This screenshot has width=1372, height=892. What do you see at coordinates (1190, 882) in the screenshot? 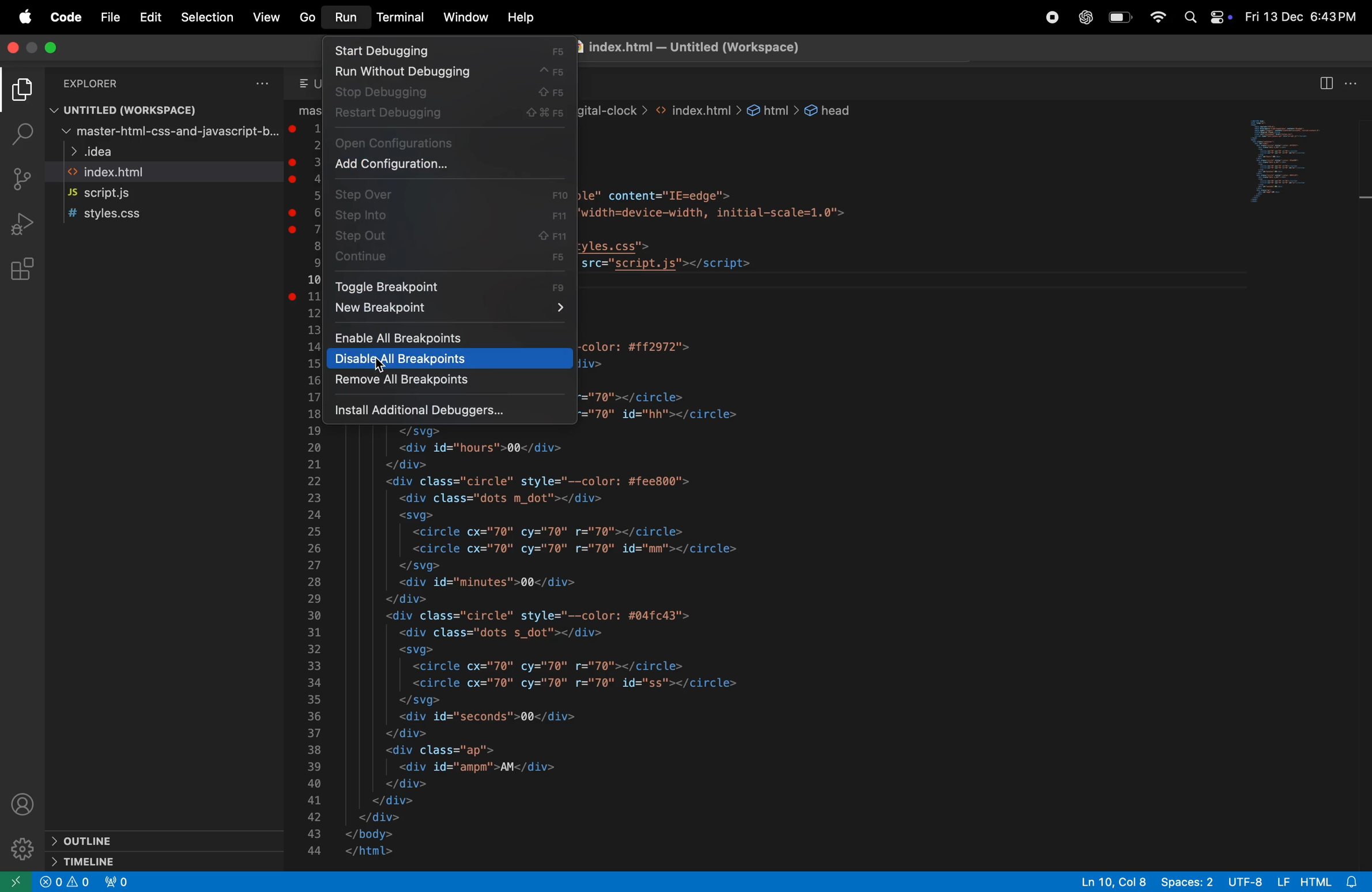
I see `spaces 2` at bounding box center [1190, 882].